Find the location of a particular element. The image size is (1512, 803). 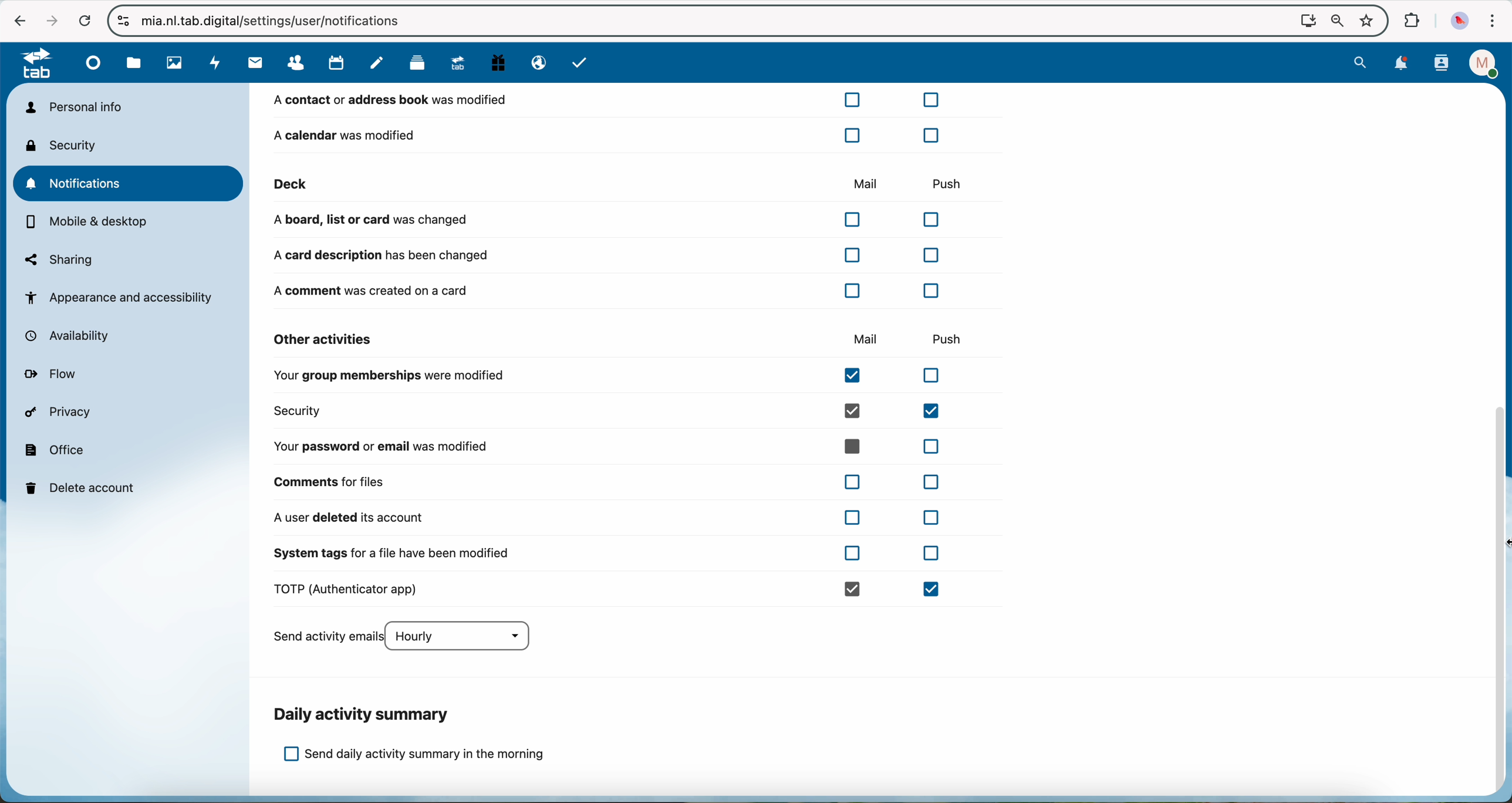

availability is located at coordinates (73, 336).